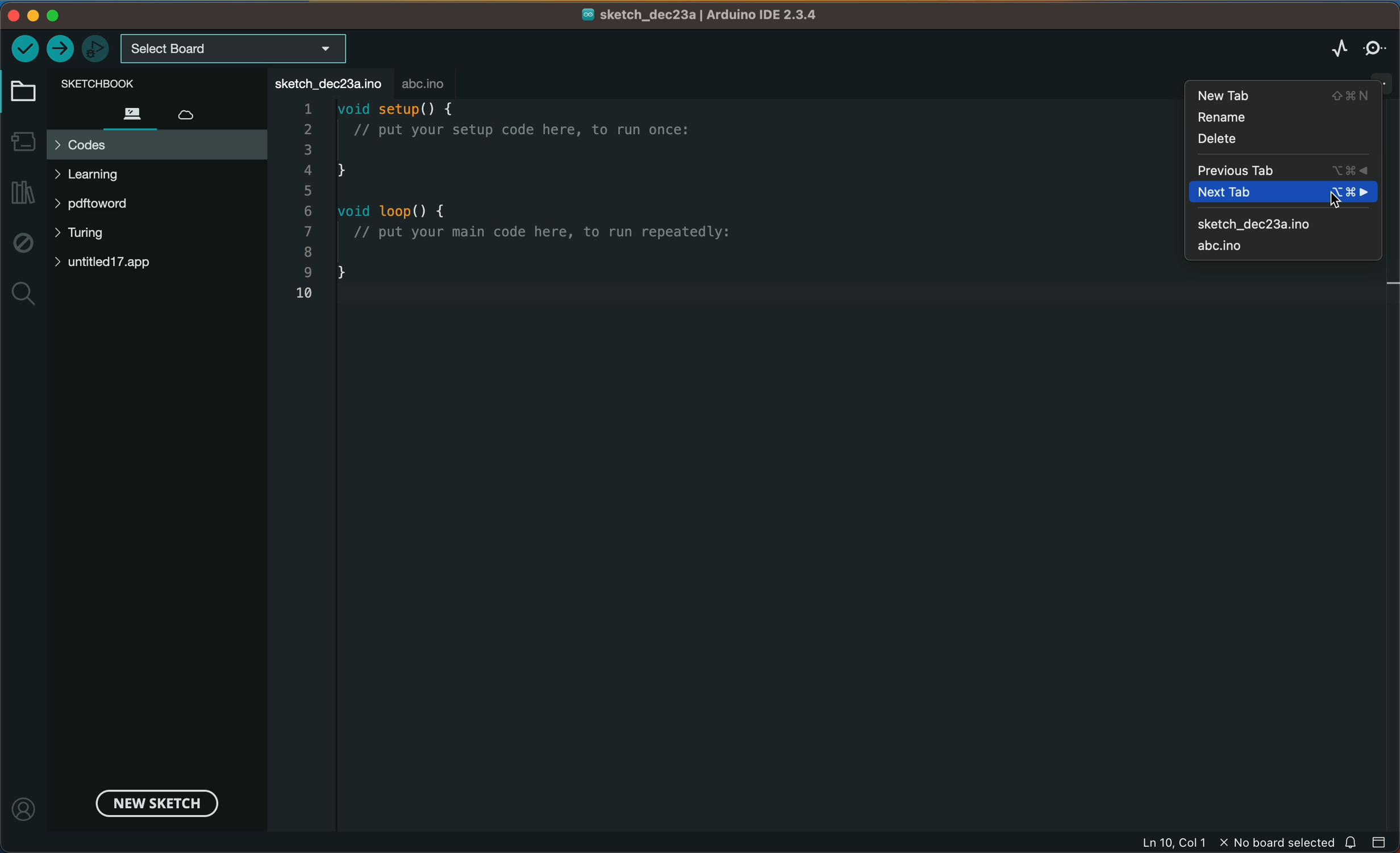 The image size is (1400, 853). What do you see at coordinates (145, 263) in the screenshot?
I see `untitled` at bounding box center [145, 263].